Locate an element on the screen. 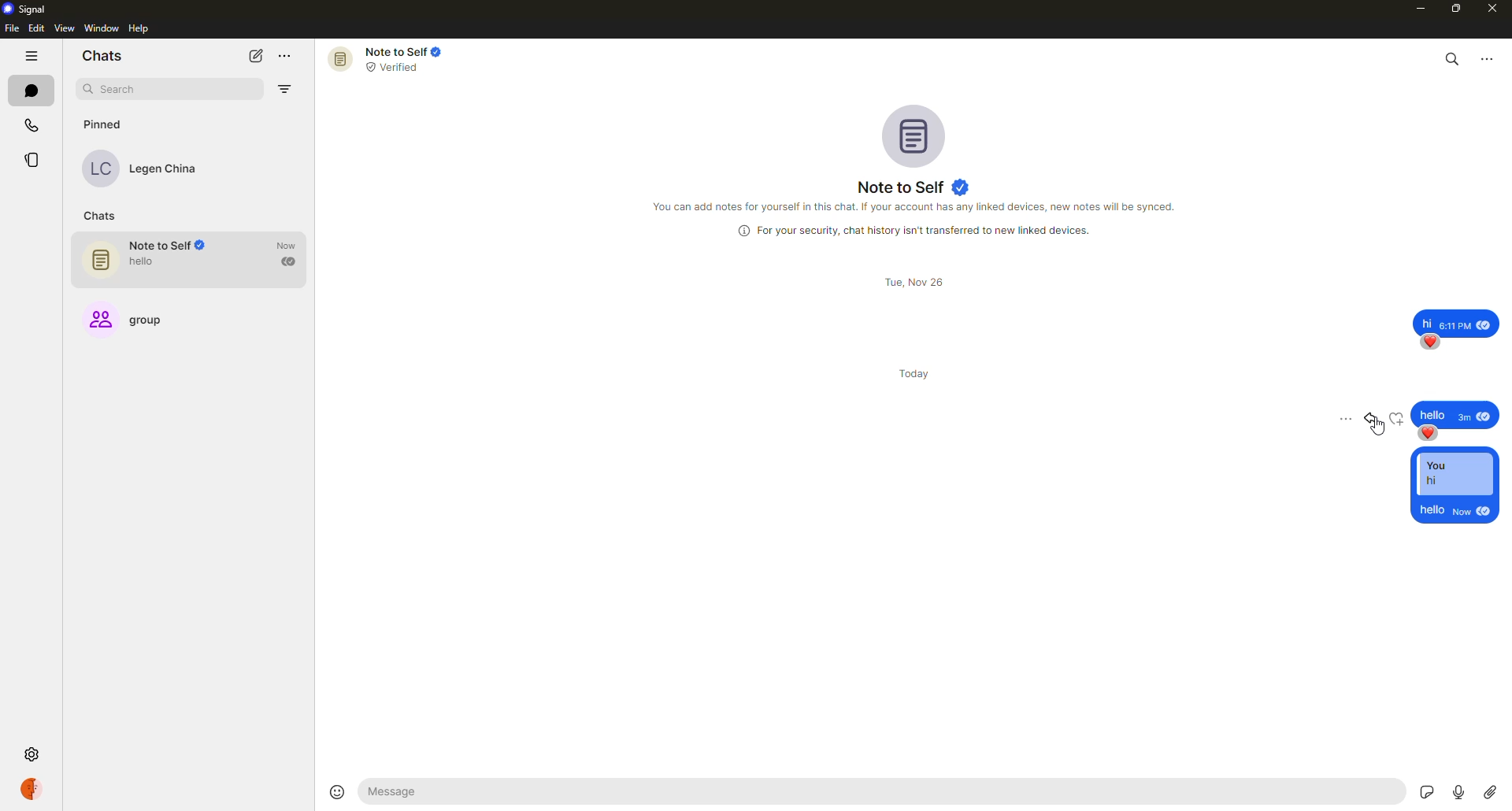  note to self is located at coordinates (914, 184).